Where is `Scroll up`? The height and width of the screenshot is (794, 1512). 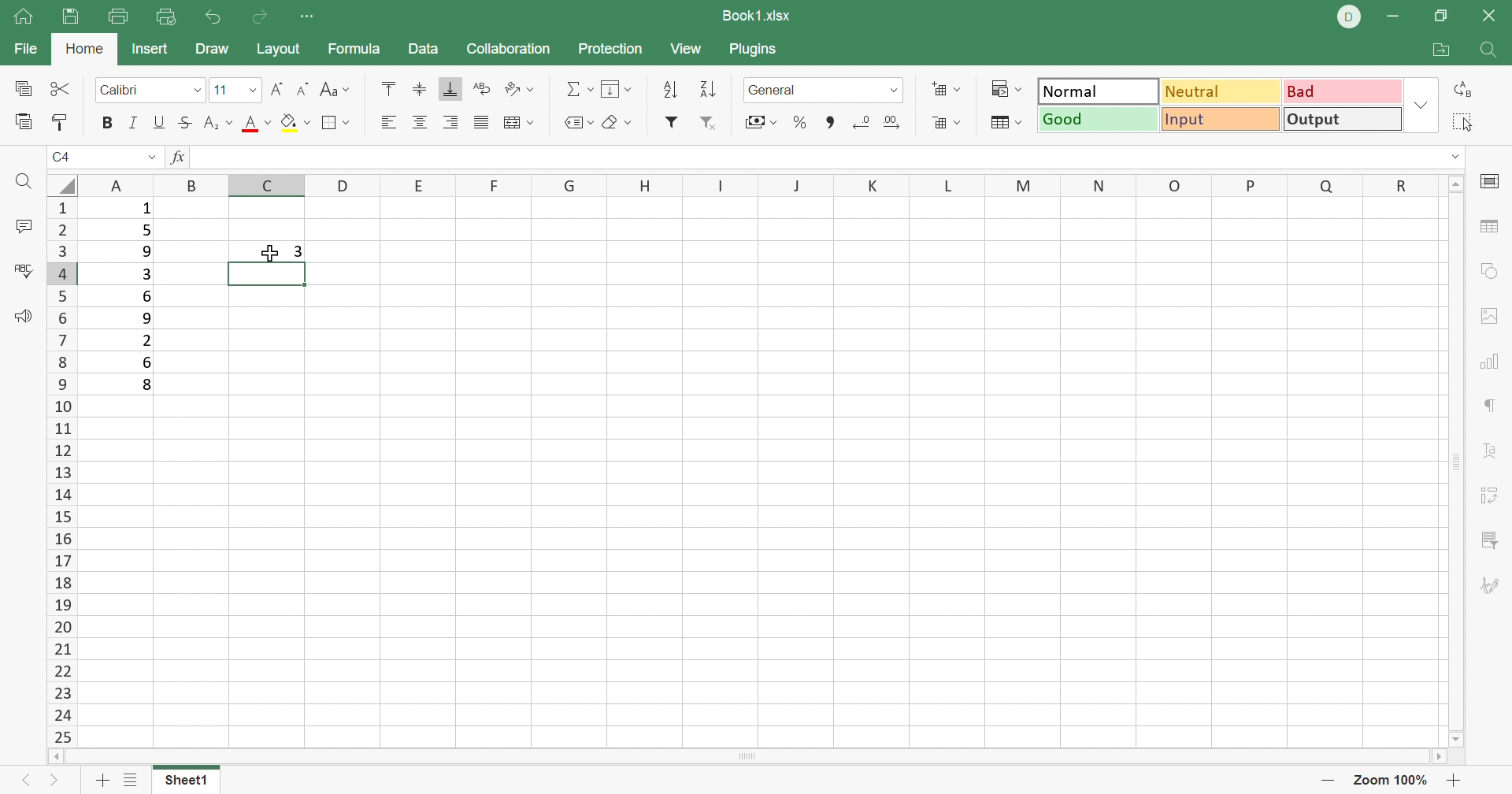 Scroll up is located at coordinates (1458, 182).